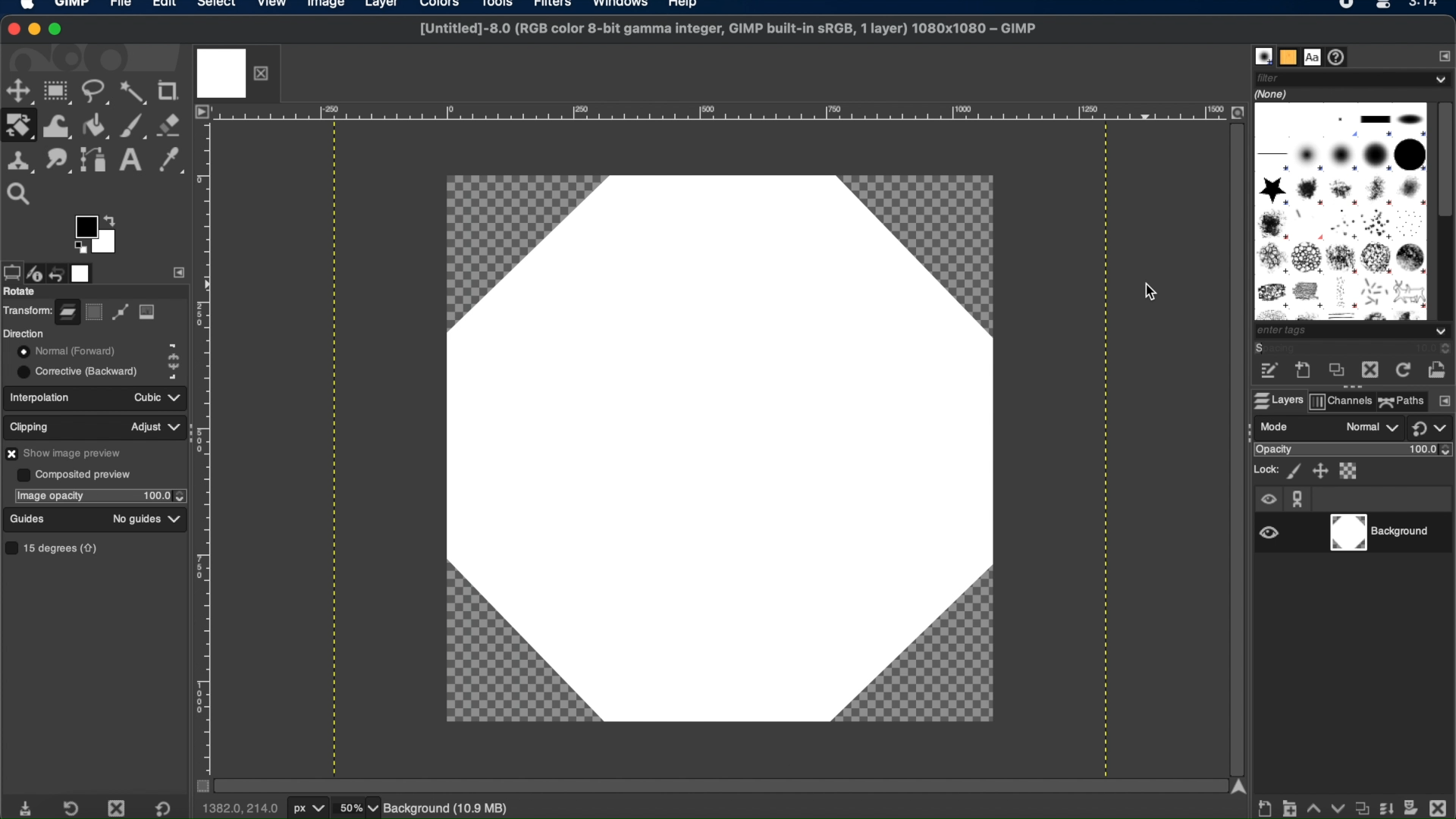 This screenshot has height=819, width=1456. What do you see at coordinates (171, 125) in the screenshot?
I see `eraser tool` at bounding box center [171, 125].